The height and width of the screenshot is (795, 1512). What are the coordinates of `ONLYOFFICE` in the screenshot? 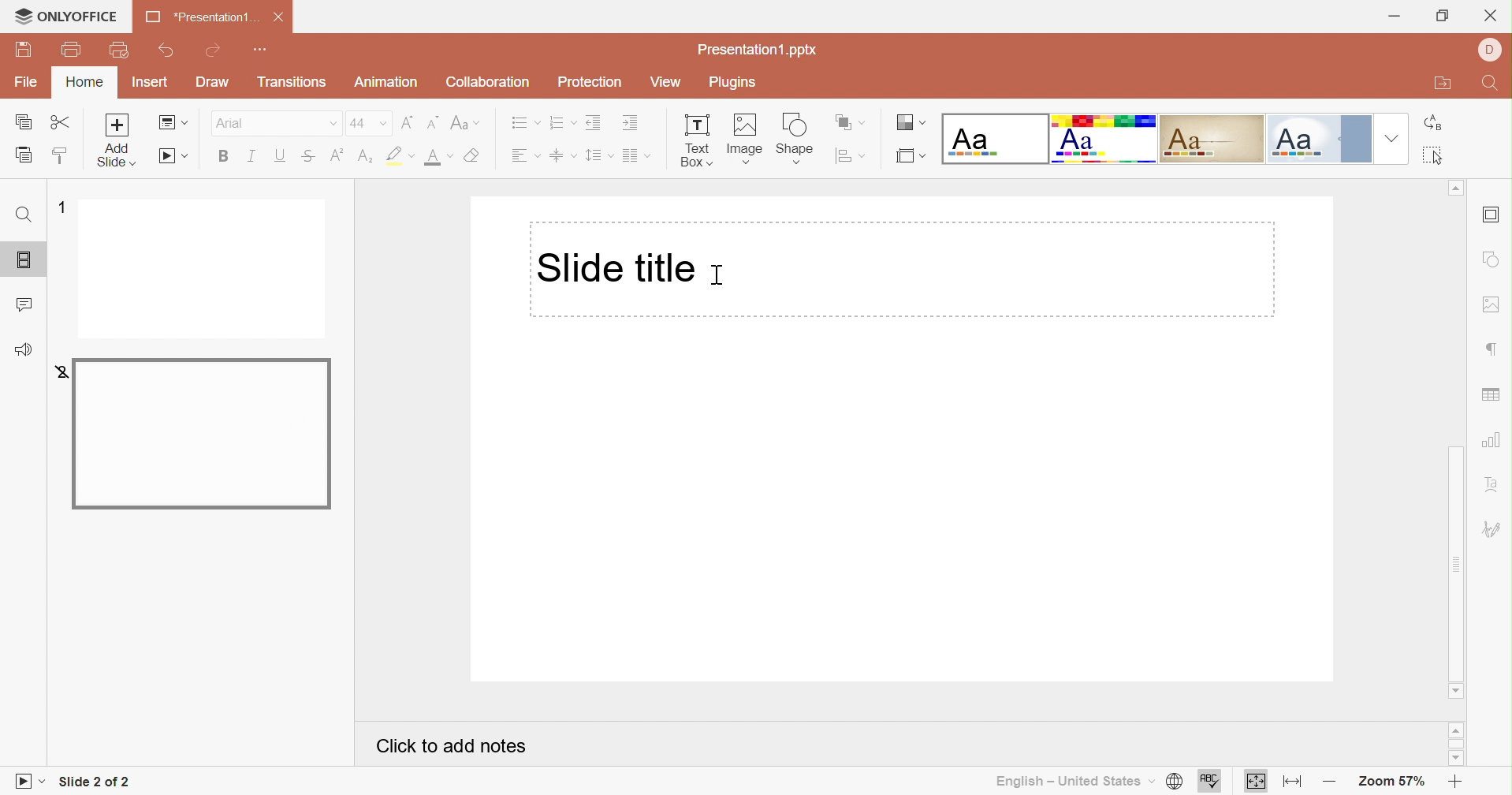 It's located at (66, 16).